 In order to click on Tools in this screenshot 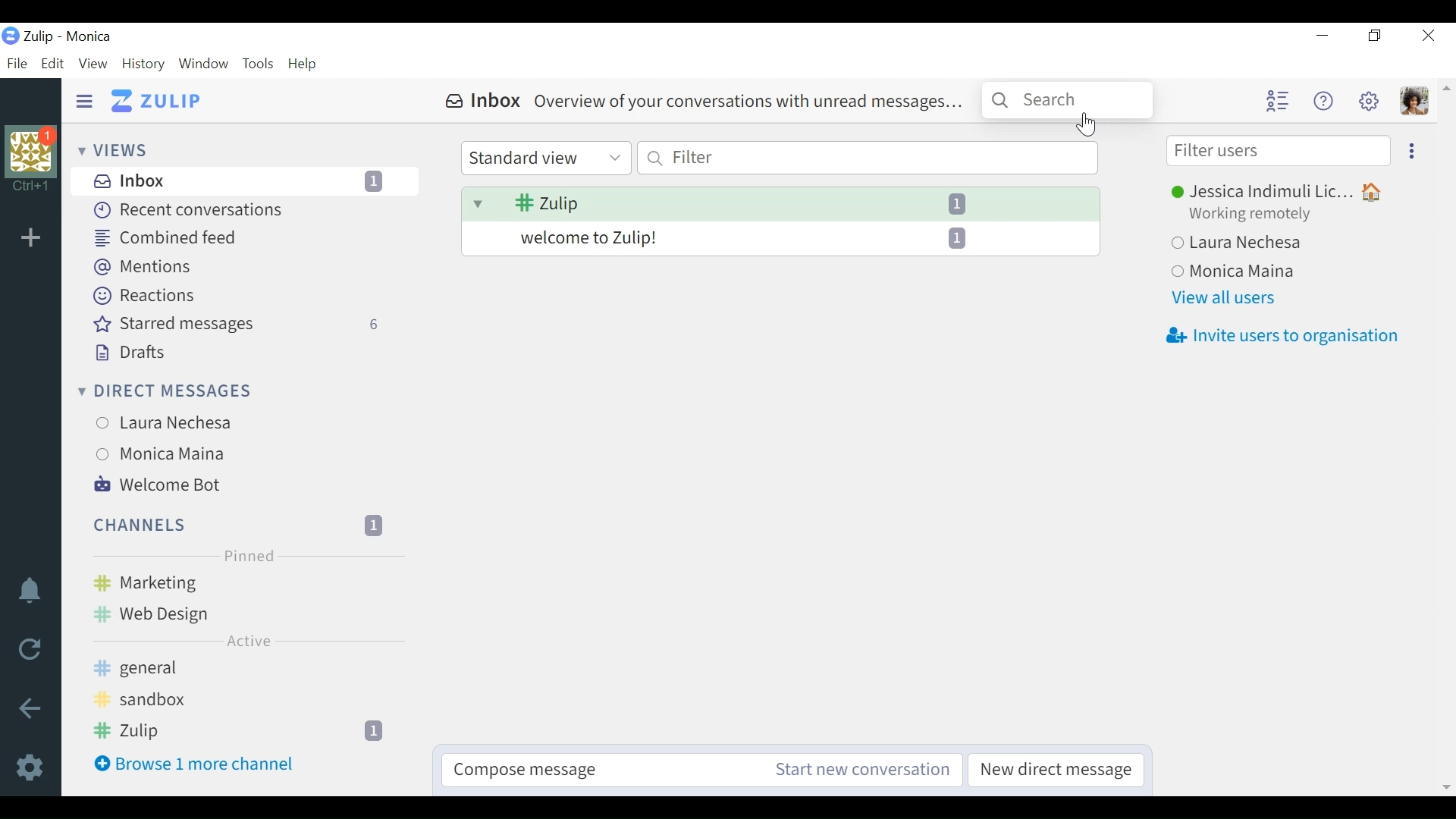, I will do `click(258, 64)`.